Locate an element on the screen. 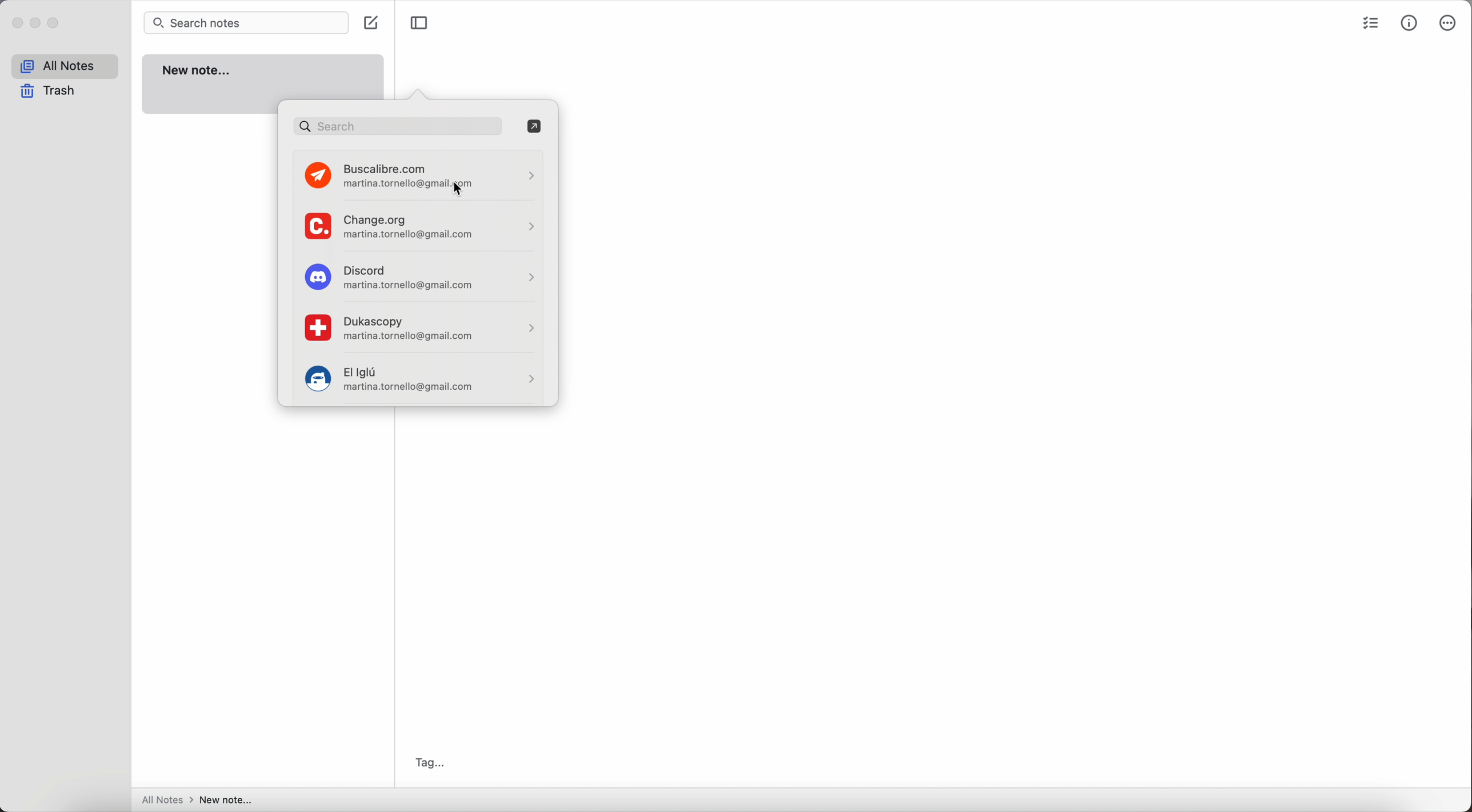  open in passwords is located at coordinates (535, 127).